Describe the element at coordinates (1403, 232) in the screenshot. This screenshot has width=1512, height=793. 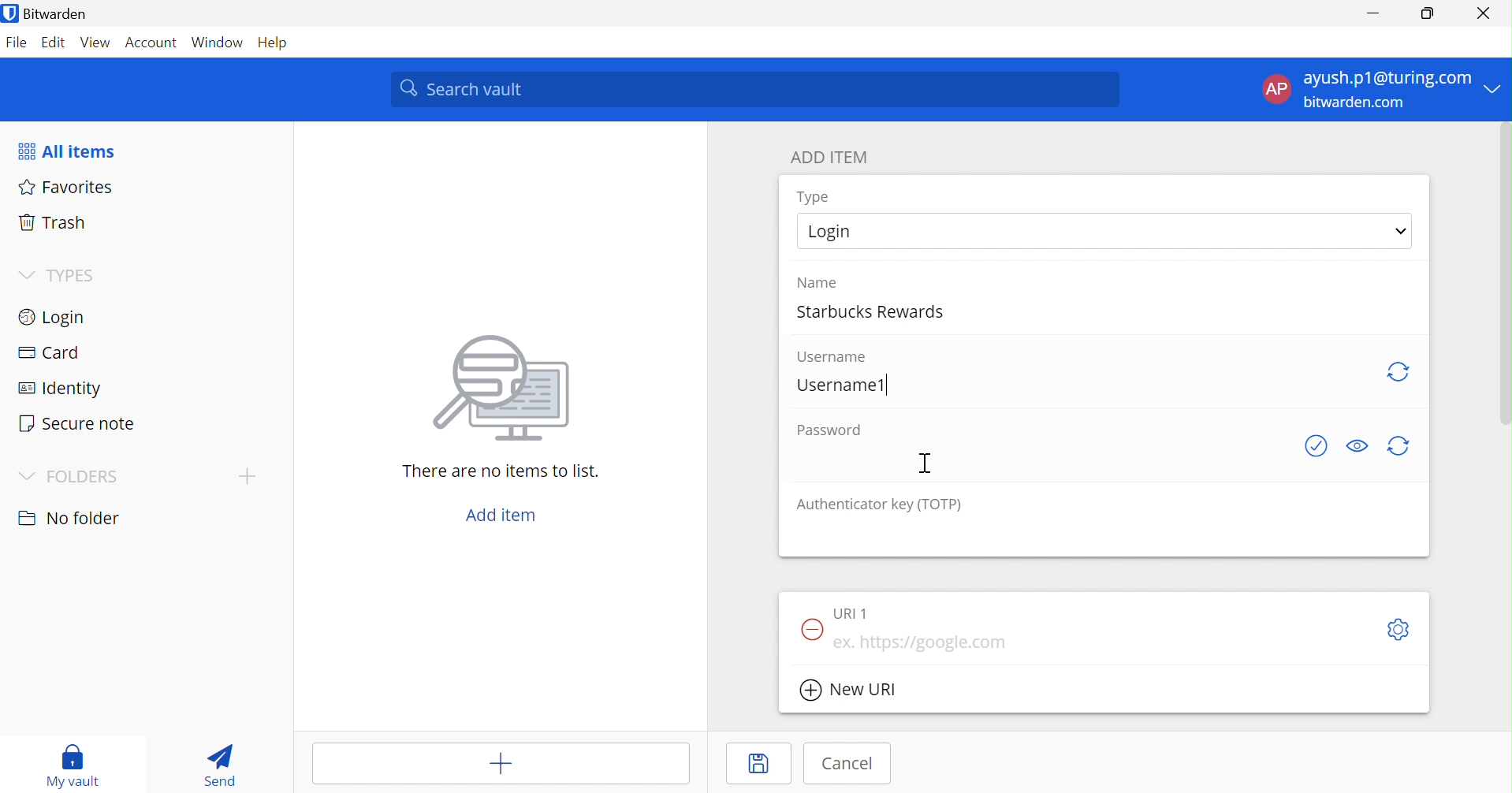
I see `Drop Down` at that location.